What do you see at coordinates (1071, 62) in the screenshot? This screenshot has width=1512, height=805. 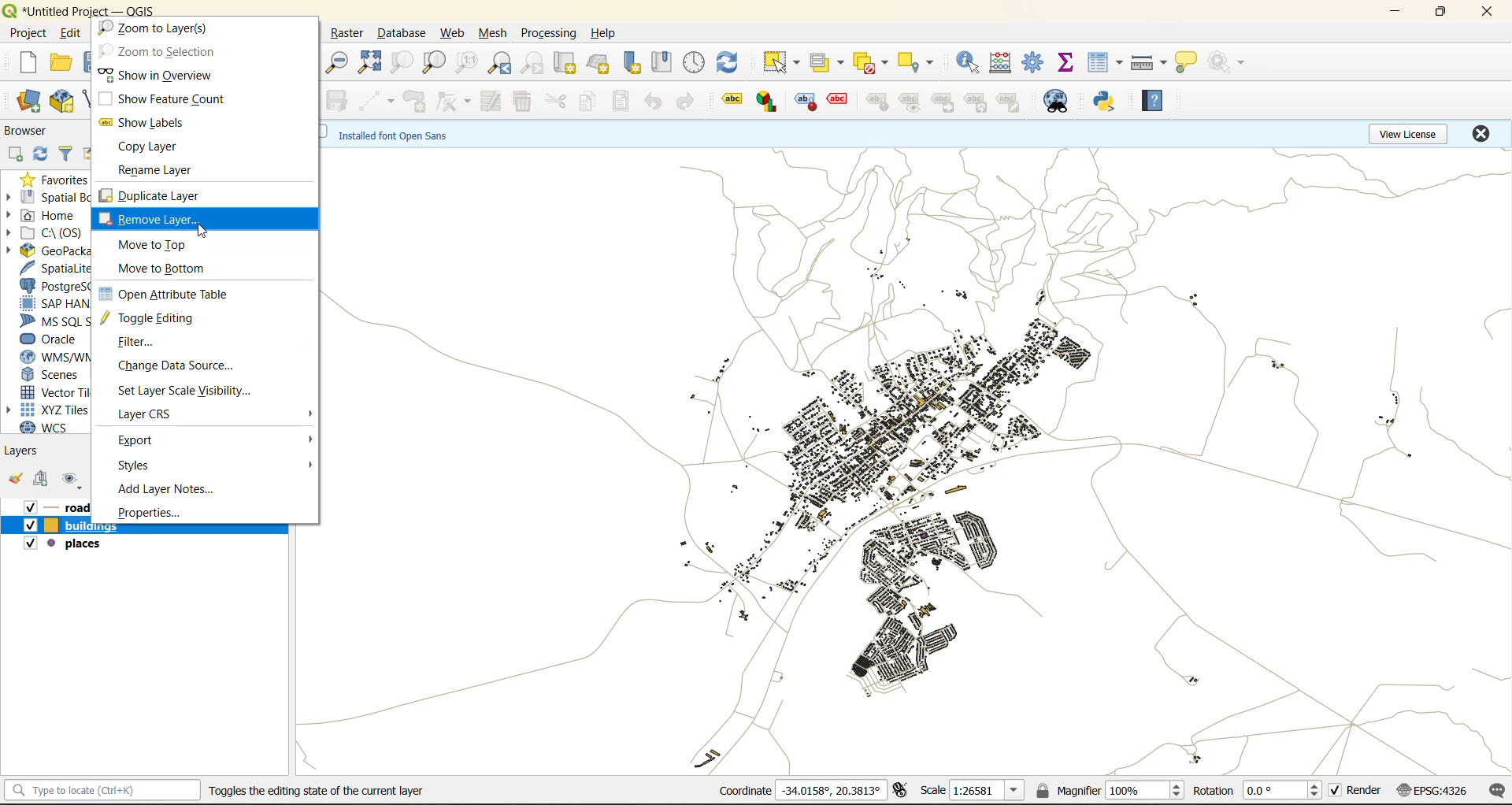 I see `statistical summary` at bounding box center [1071, 62].